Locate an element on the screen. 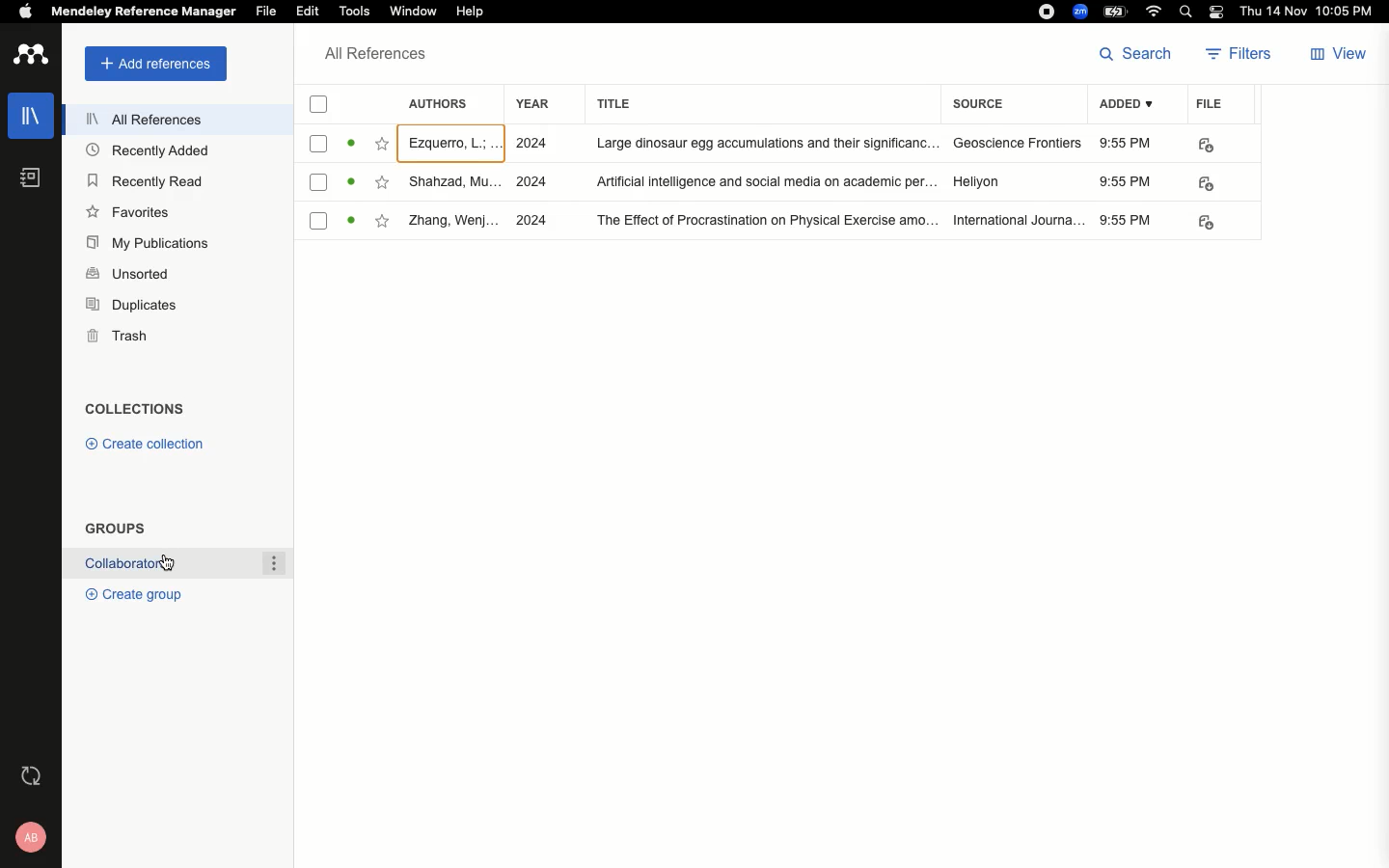 The image size is (1389, 868). Window is located at coordinates (412, 12).